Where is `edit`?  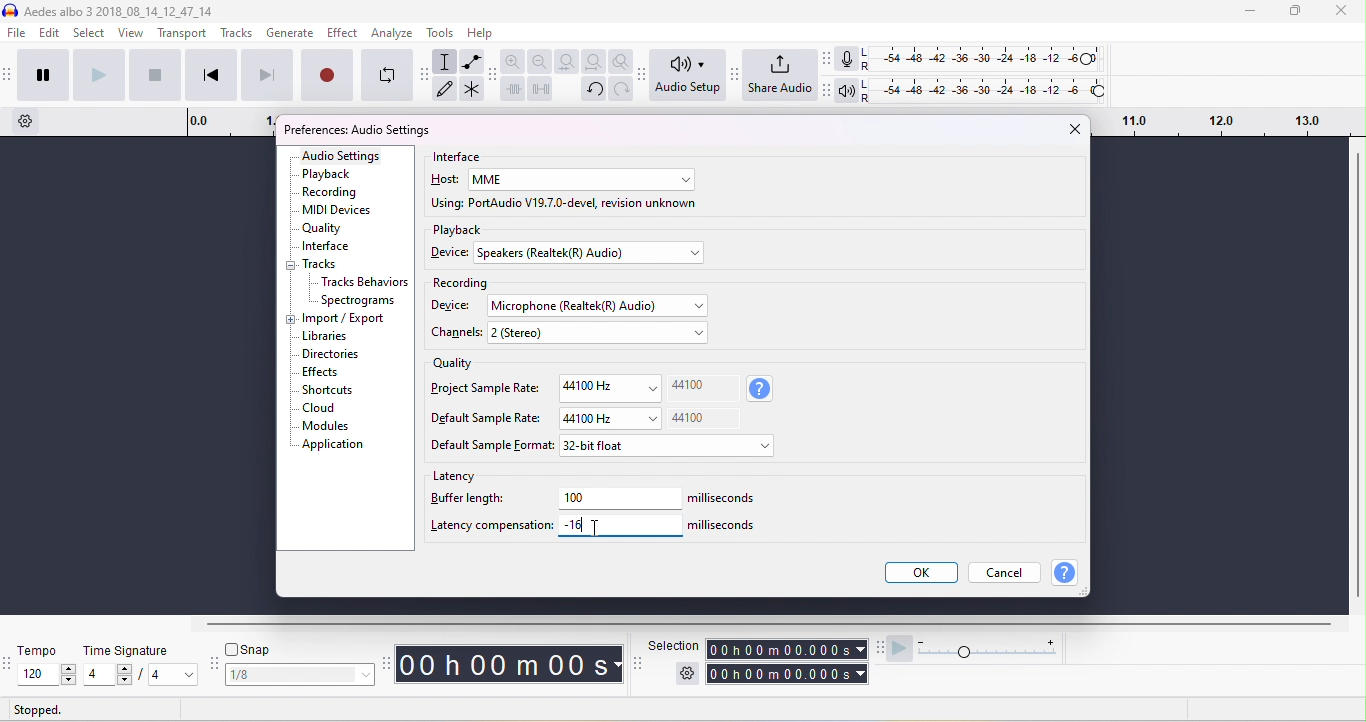 edit is located at coordinates (51, 34).